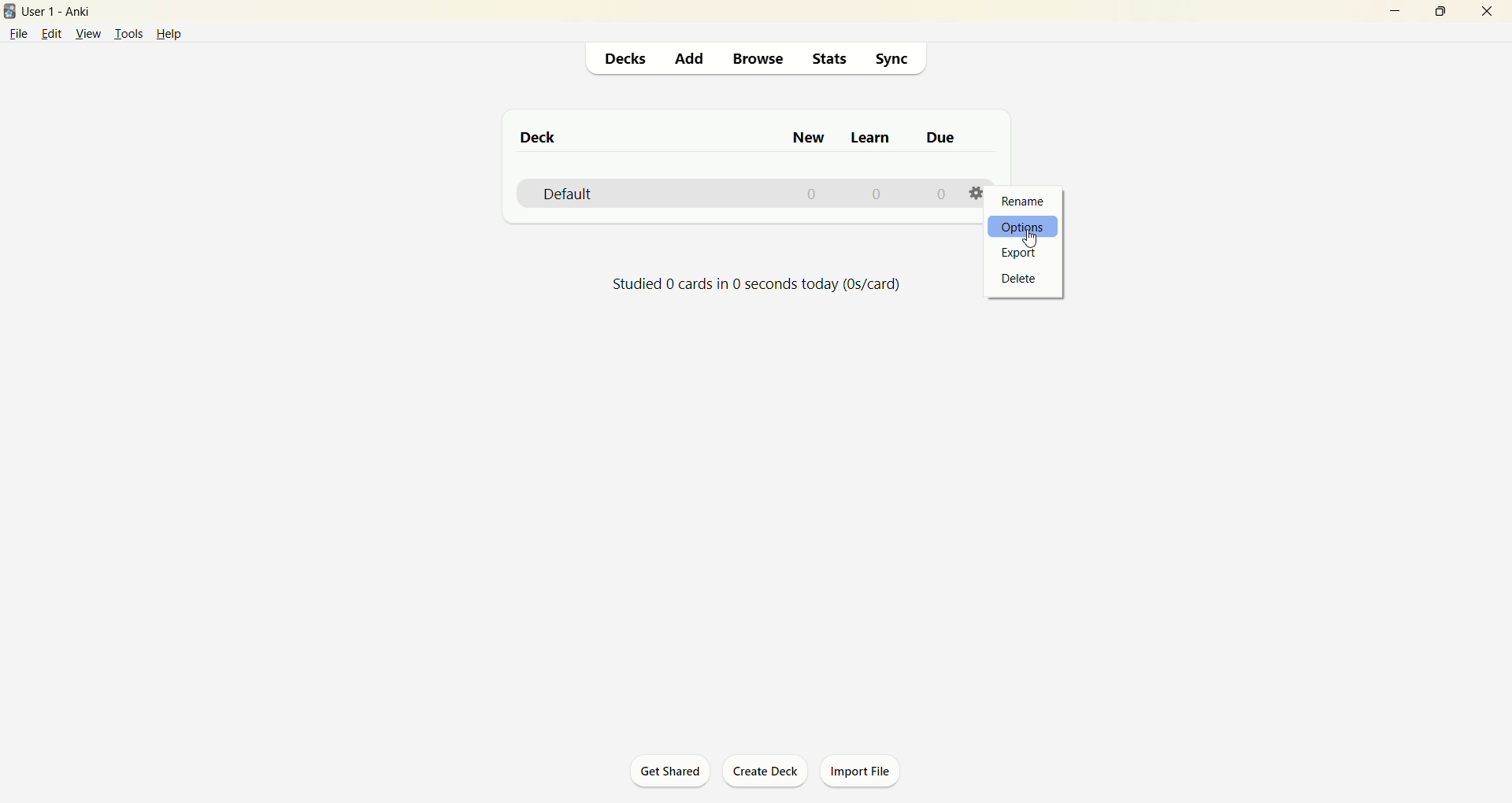 This screenshot has width=1512, height=803. Describe the element at coordinates (67, 11) in the screenshot. I see `User1-Anki` at that location.